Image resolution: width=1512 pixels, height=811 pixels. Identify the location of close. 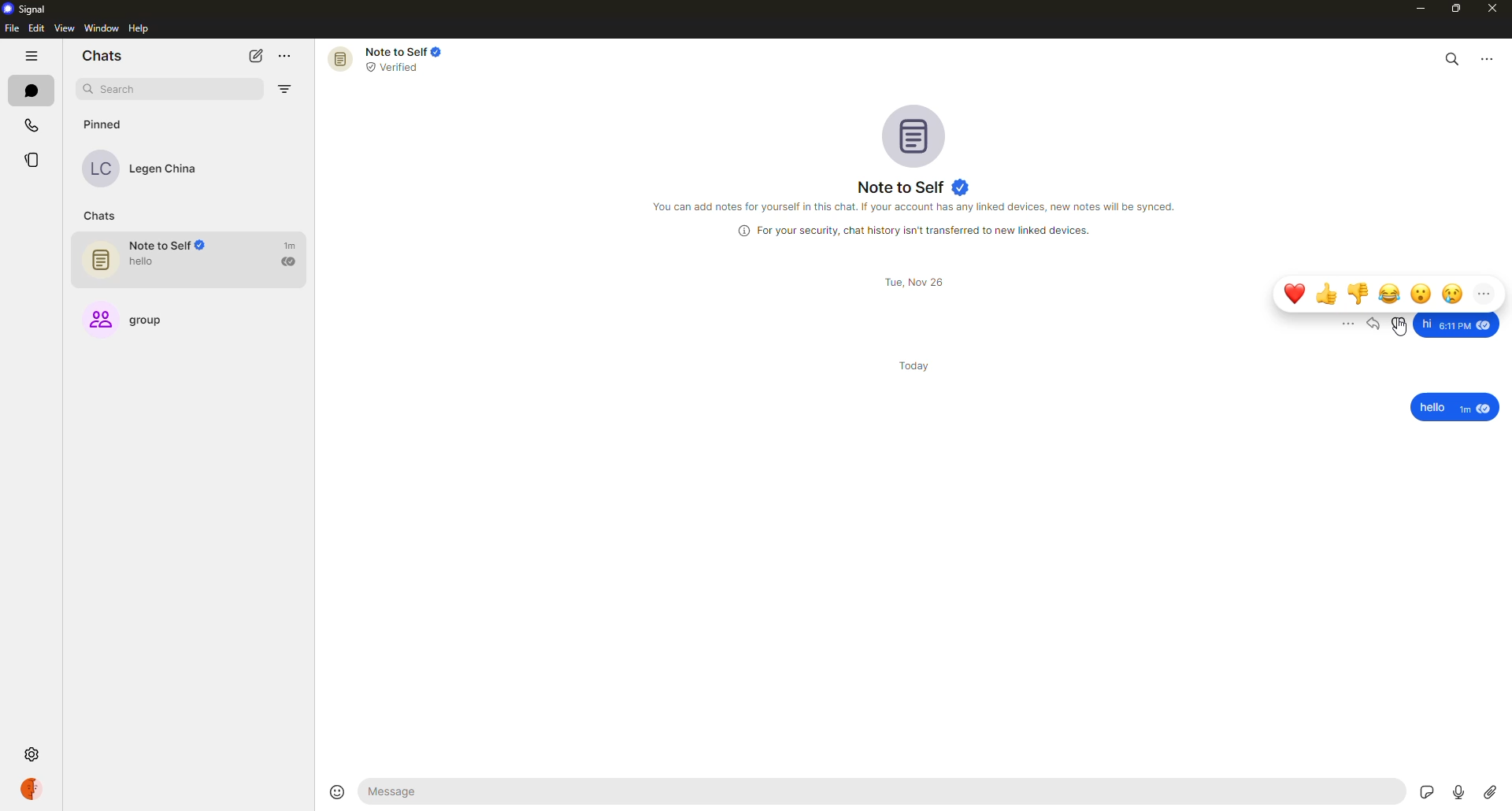
(1494, 10).